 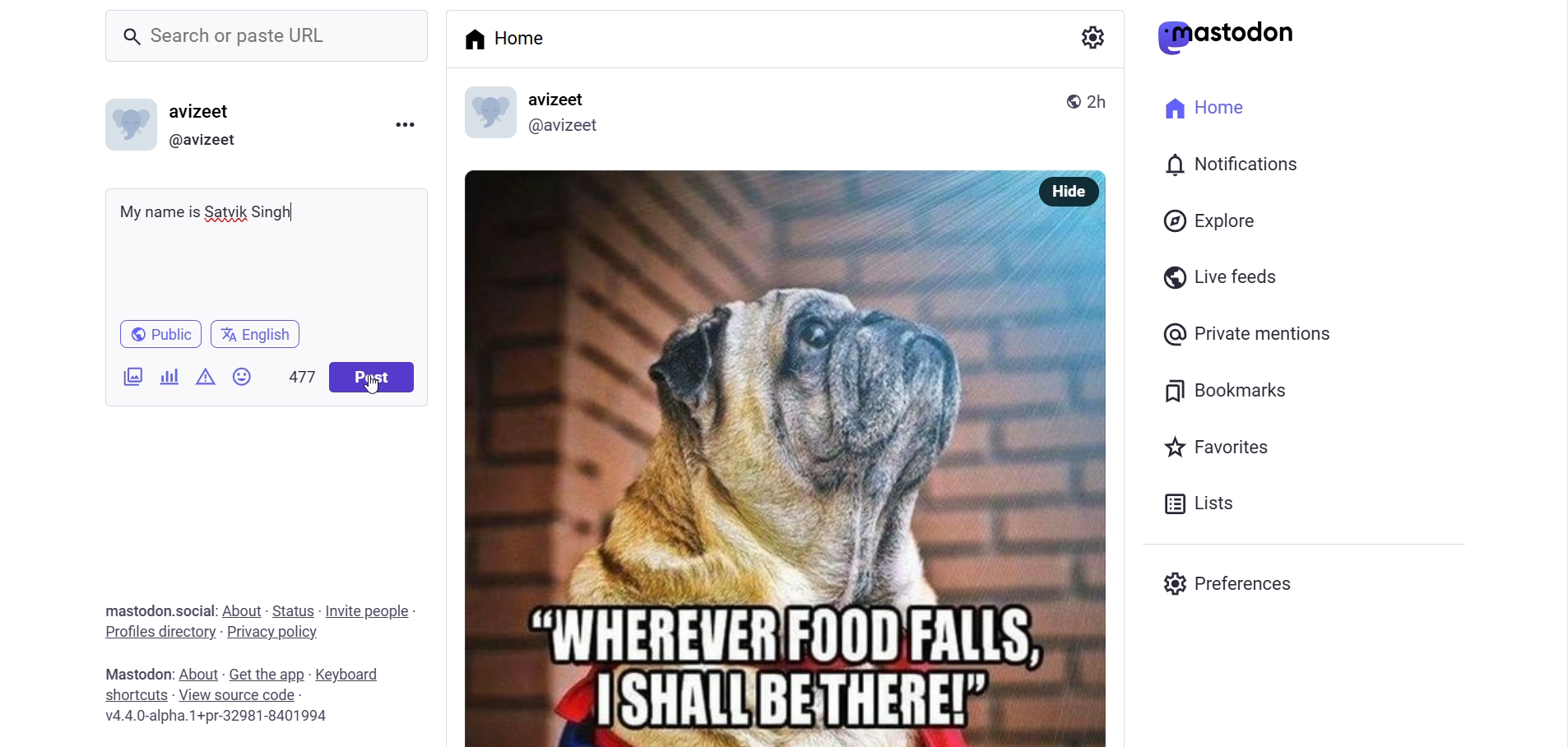 What do you see at coordinates (1236, 165) in the screenshot?
I see `Notifications` at bounding box center [1236, 165].